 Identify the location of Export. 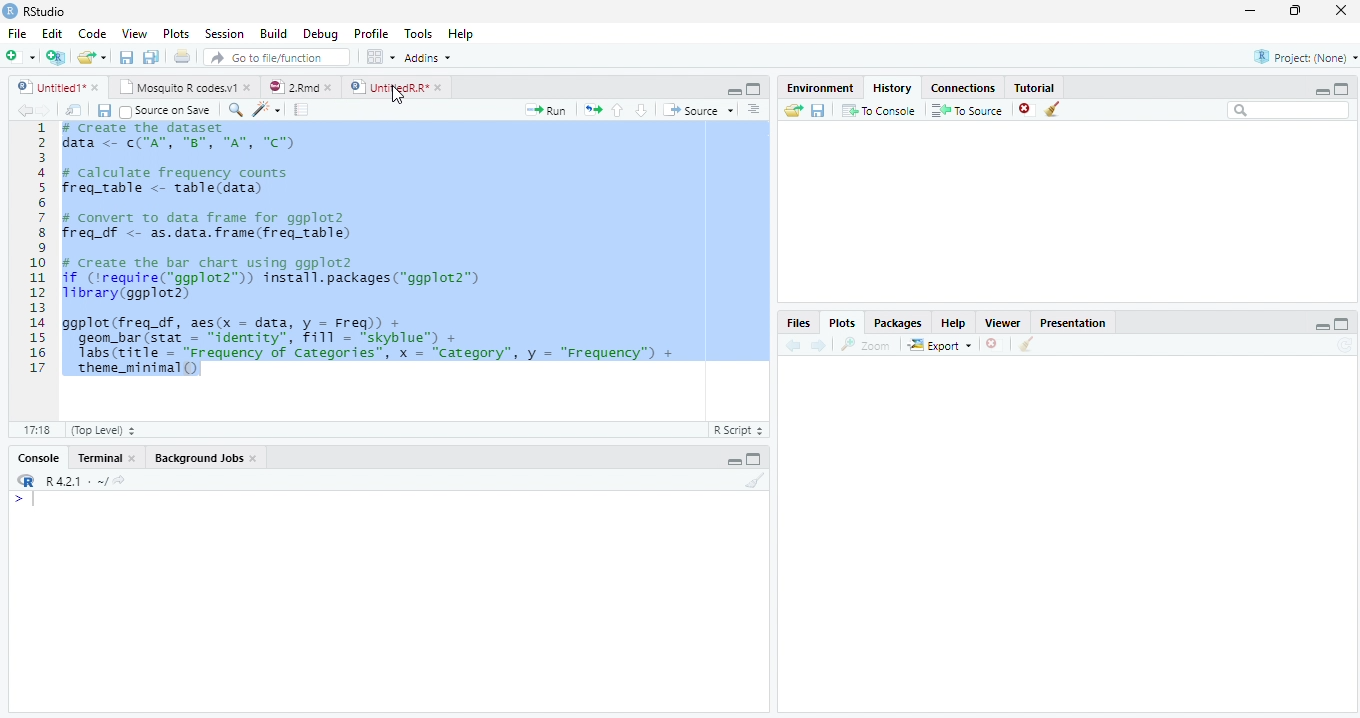
(938, 345).